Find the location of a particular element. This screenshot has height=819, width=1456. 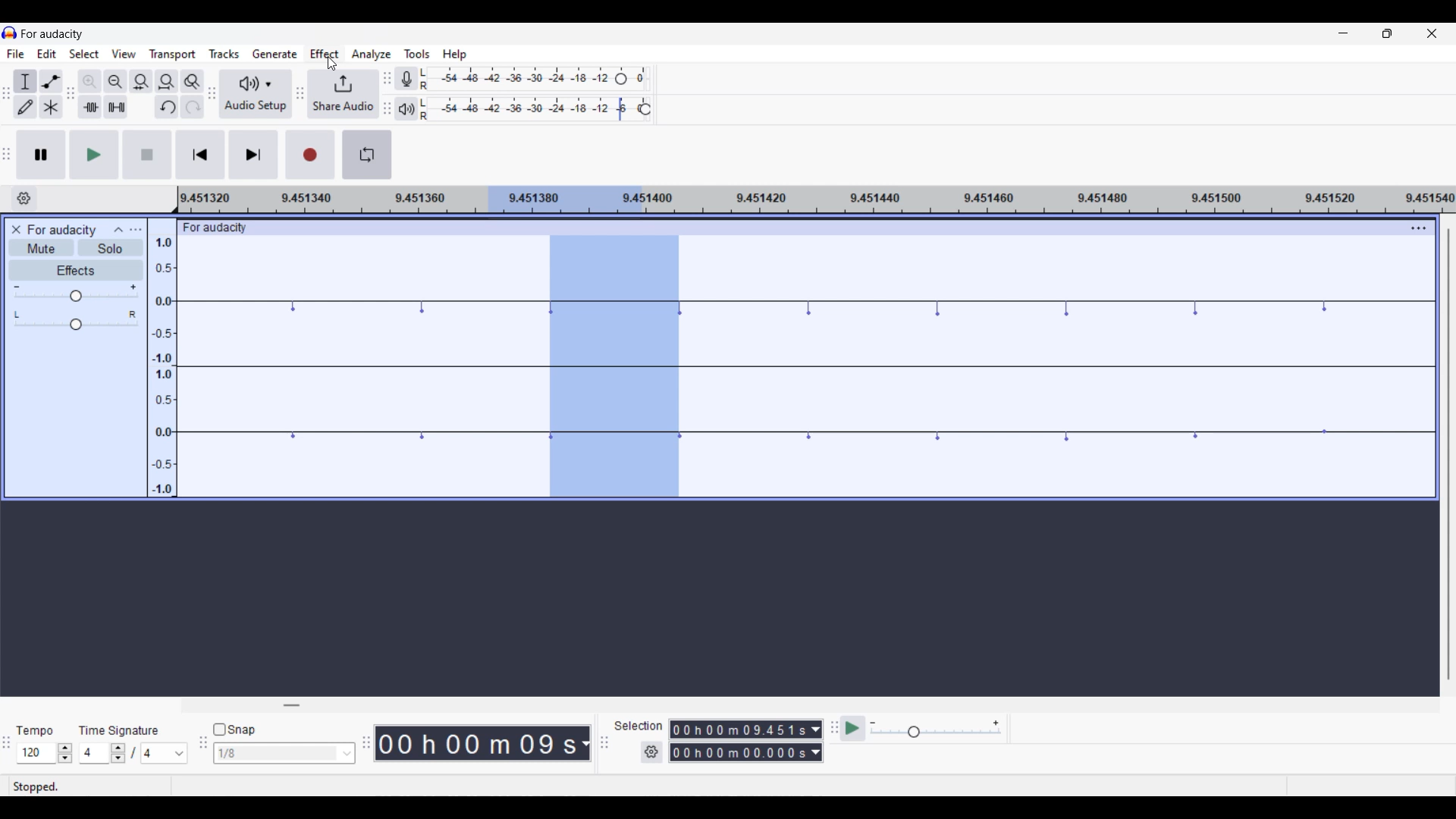

Pause is located at coordinates (41, 155).